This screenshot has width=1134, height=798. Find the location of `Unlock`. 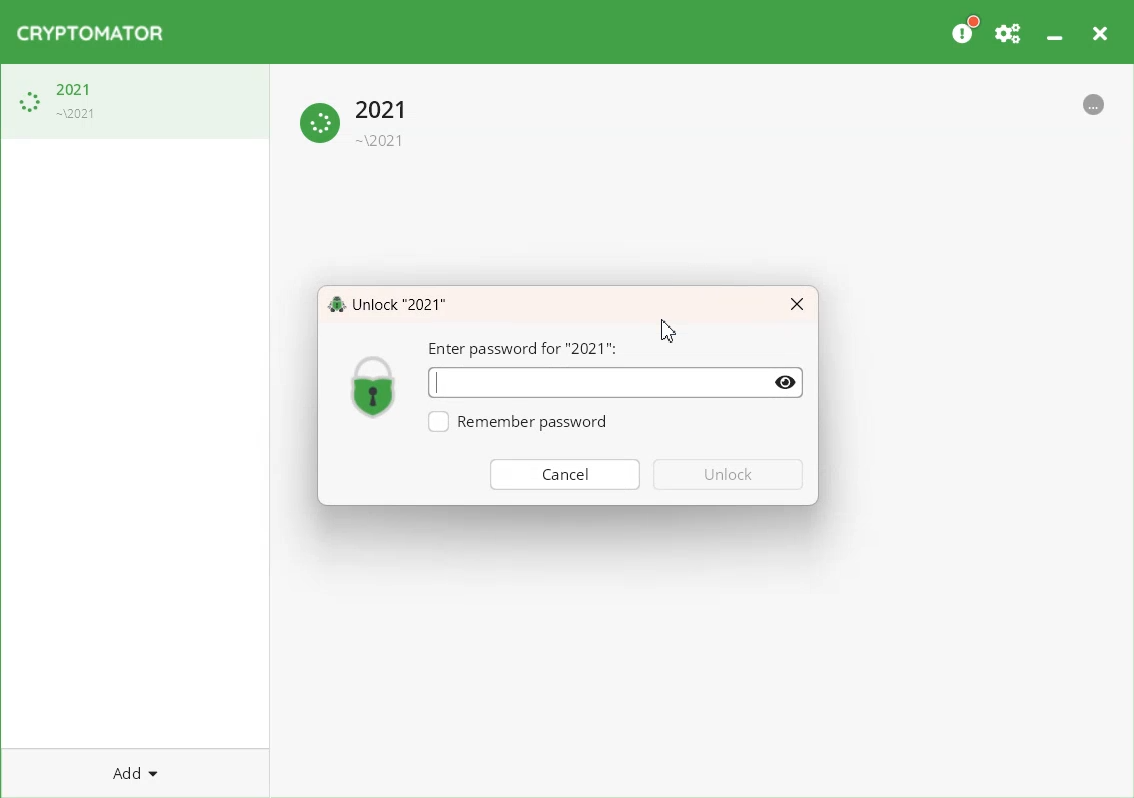

Unlock is located at coordinates (729, 474).